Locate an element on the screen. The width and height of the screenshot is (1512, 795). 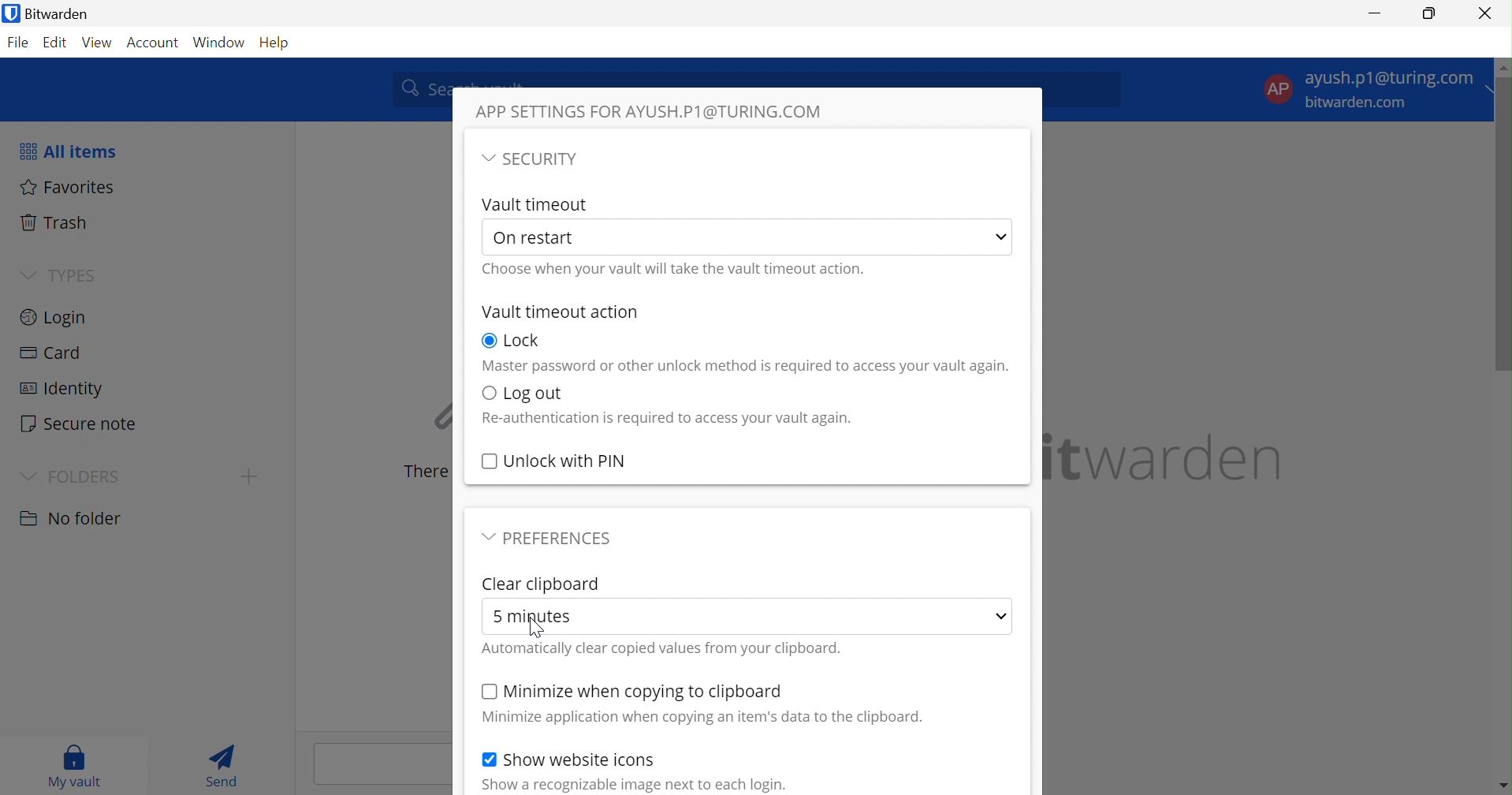
Window is located at coordinates (220, 41).